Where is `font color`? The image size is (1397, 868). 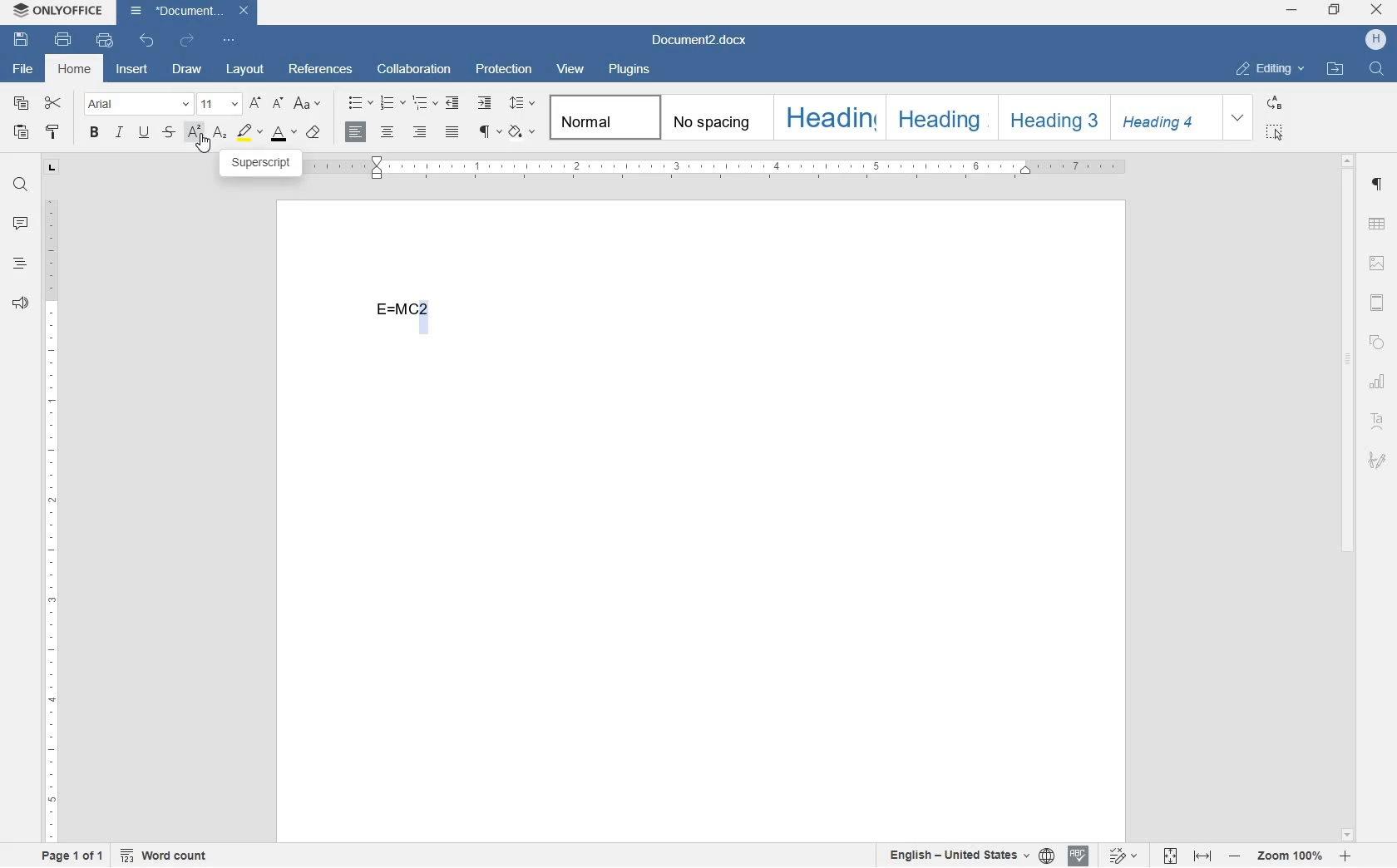
font color is located at coordinates (285, 133).